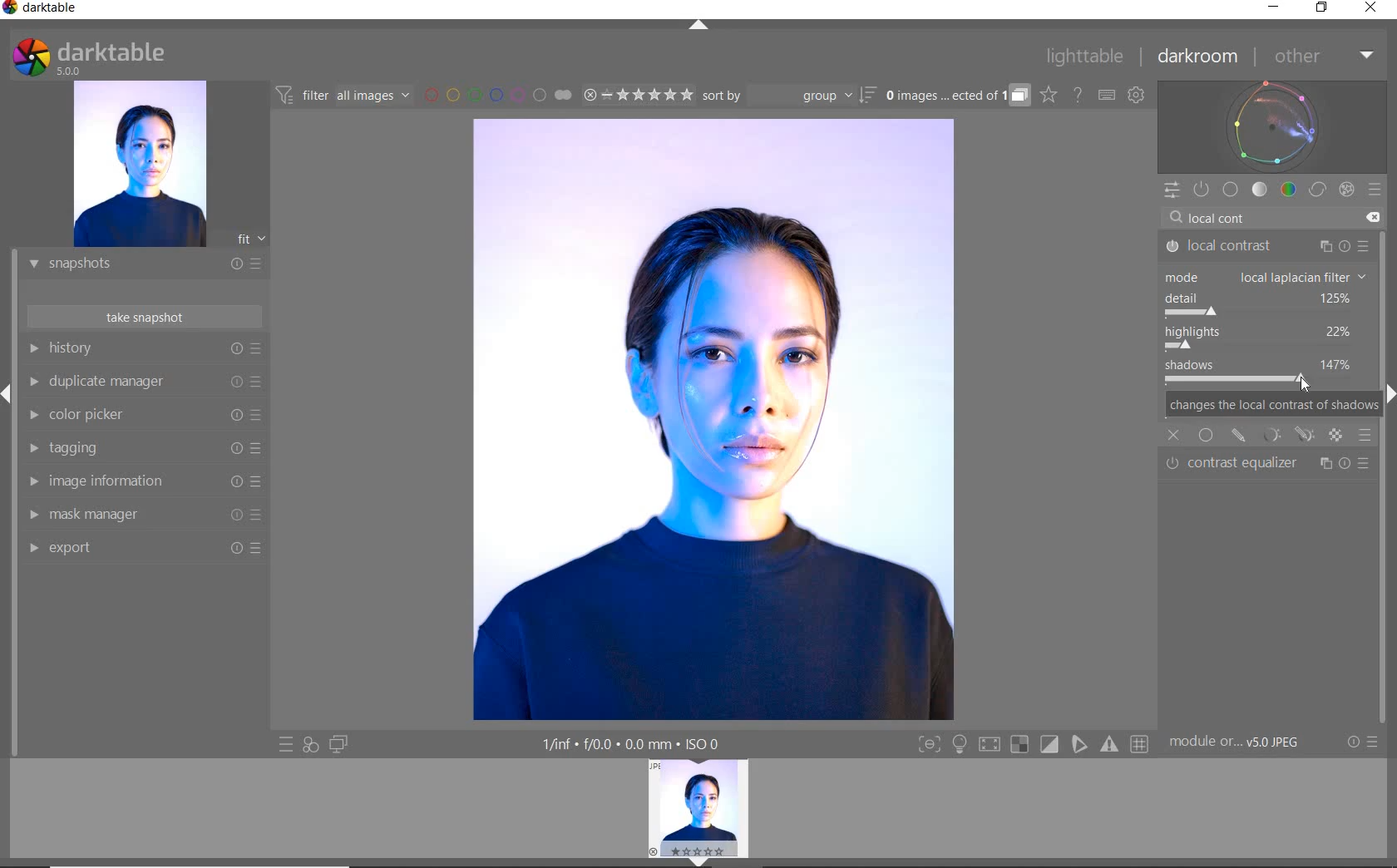 This screenshot has height=868, width=1397. What do you see at coordinates (1085, 59) in the screenshot?
I see `LIGHTTABLE` at bounding box center [1085, 59].